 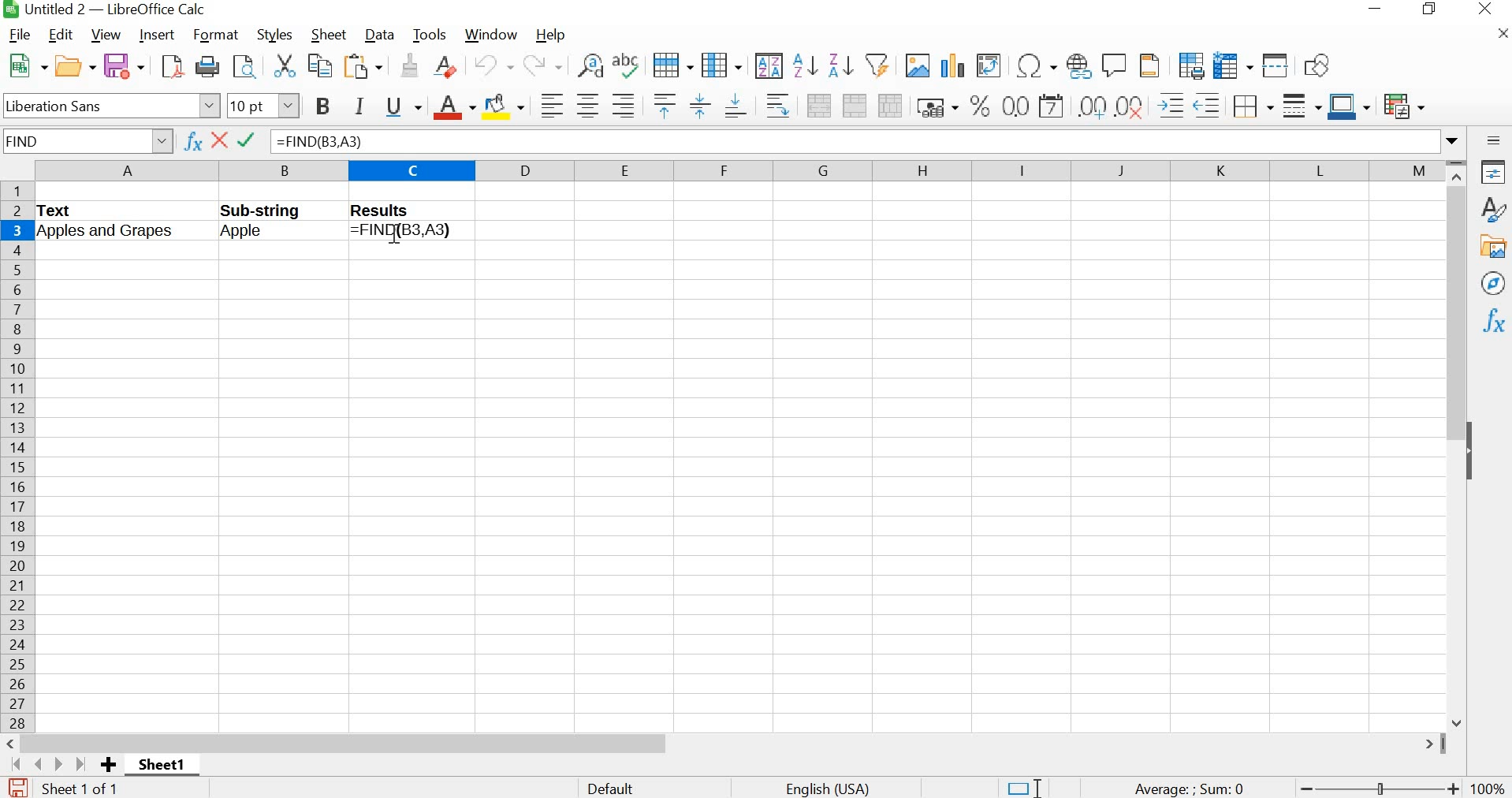 I want to click on unmerge cells, so click(x=891, y=105).